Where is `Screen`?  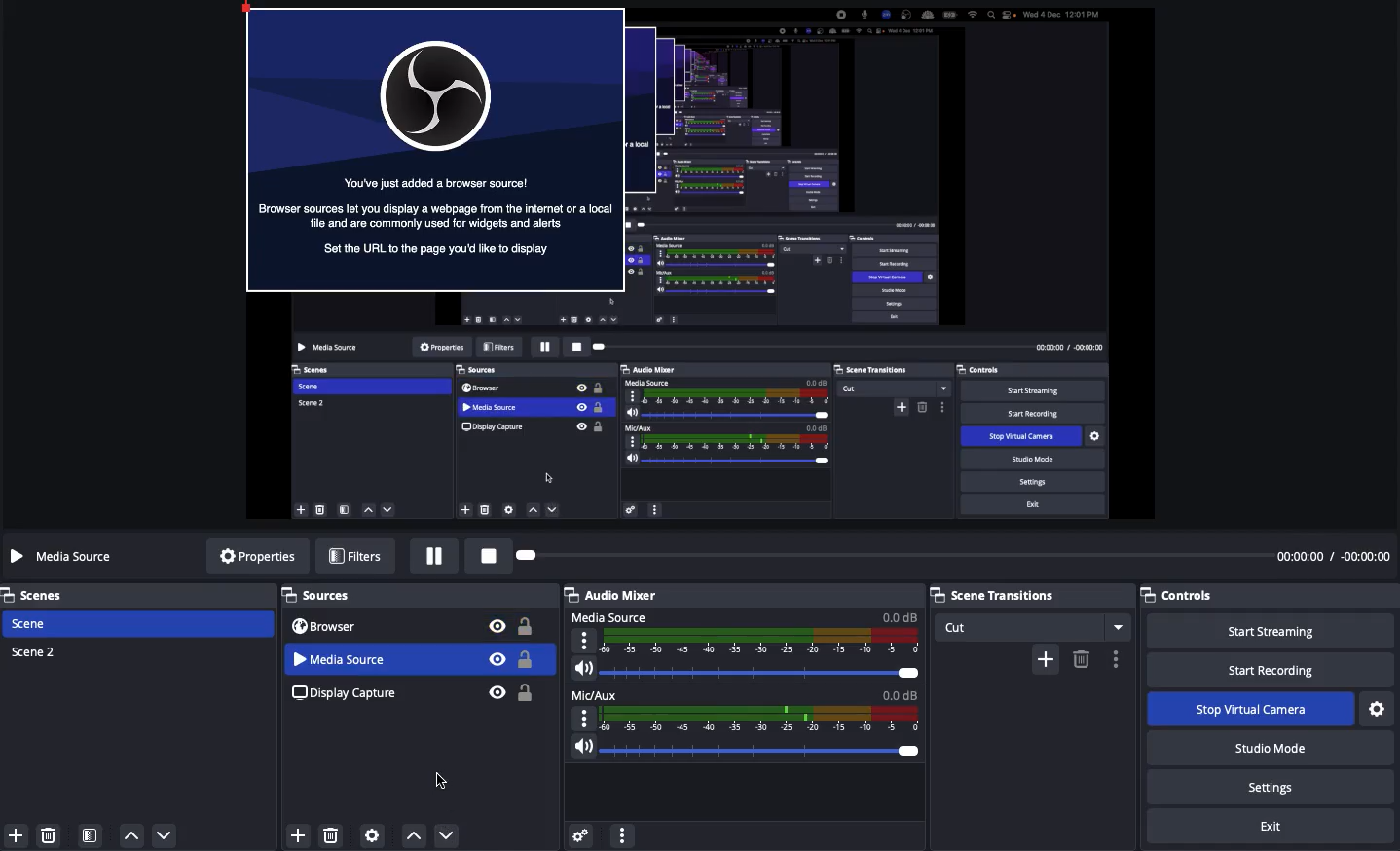 Screen is located at coordinates (701, 260).